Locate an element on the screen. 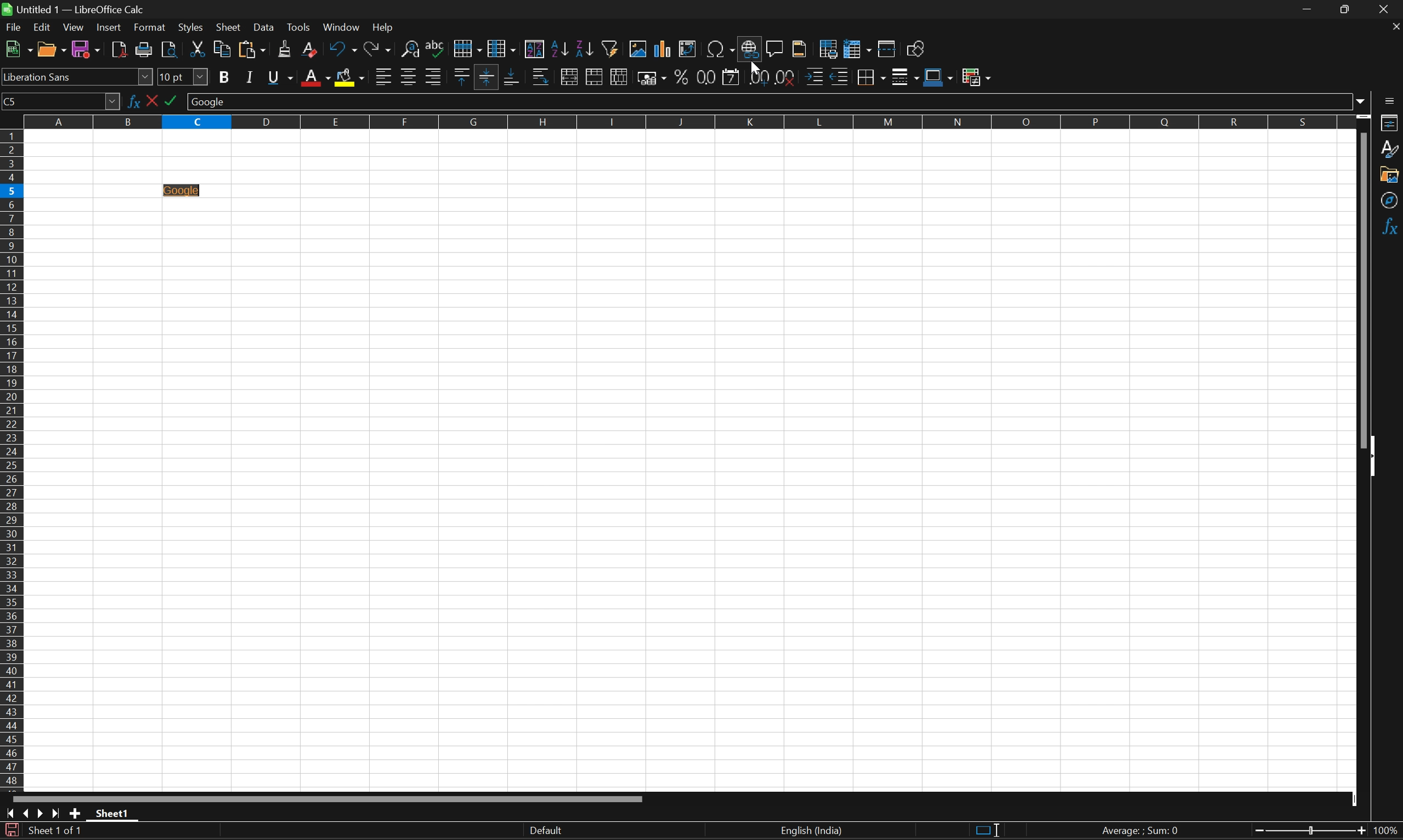 The image size is (1403, 840). Font color is located at coordinates (314, 78).